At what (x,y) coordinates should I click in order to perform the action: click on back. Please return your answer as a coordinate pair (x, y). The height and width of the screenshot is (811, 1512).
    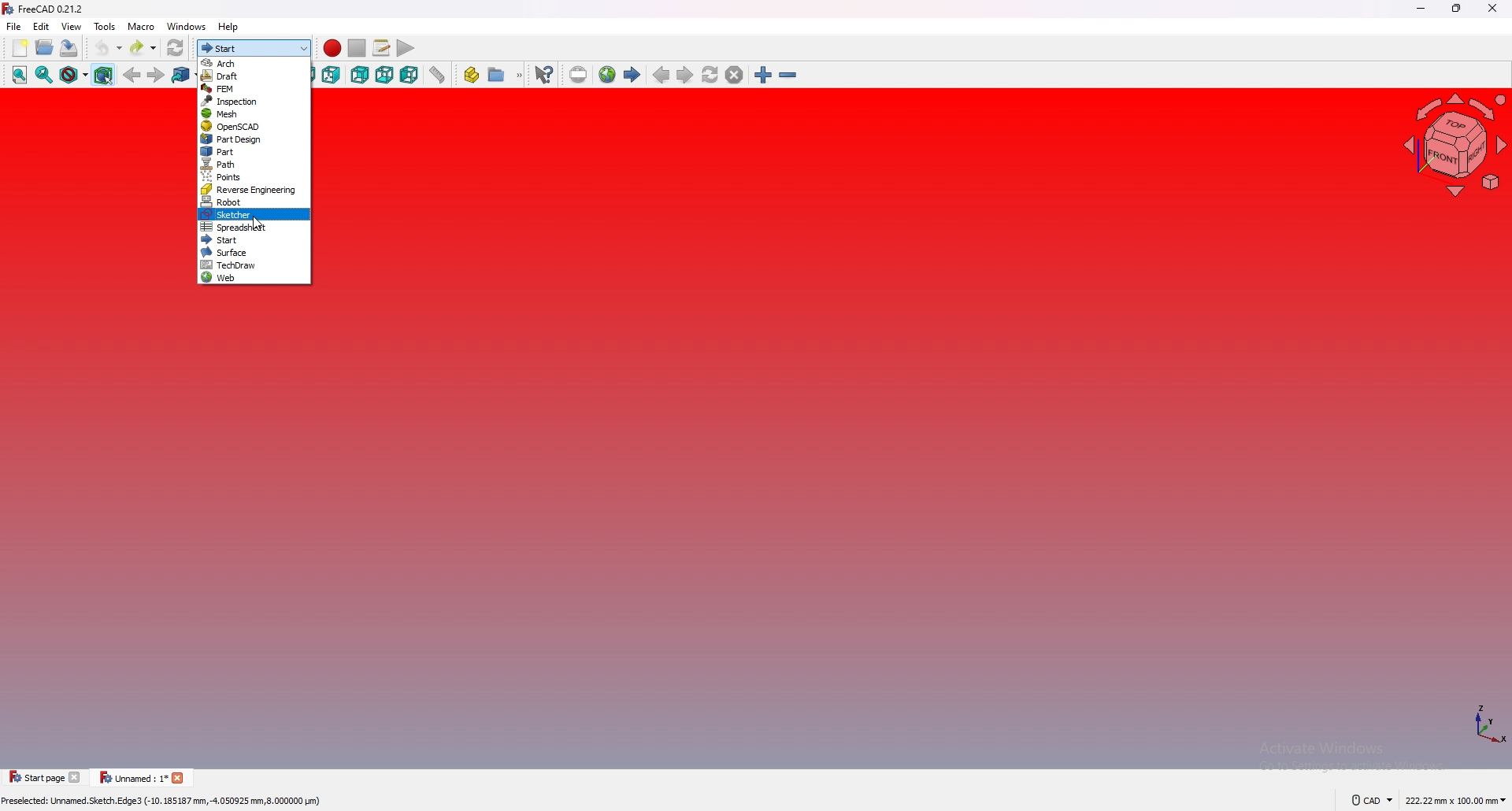
    Looking at the image, I should click on (132, 74).